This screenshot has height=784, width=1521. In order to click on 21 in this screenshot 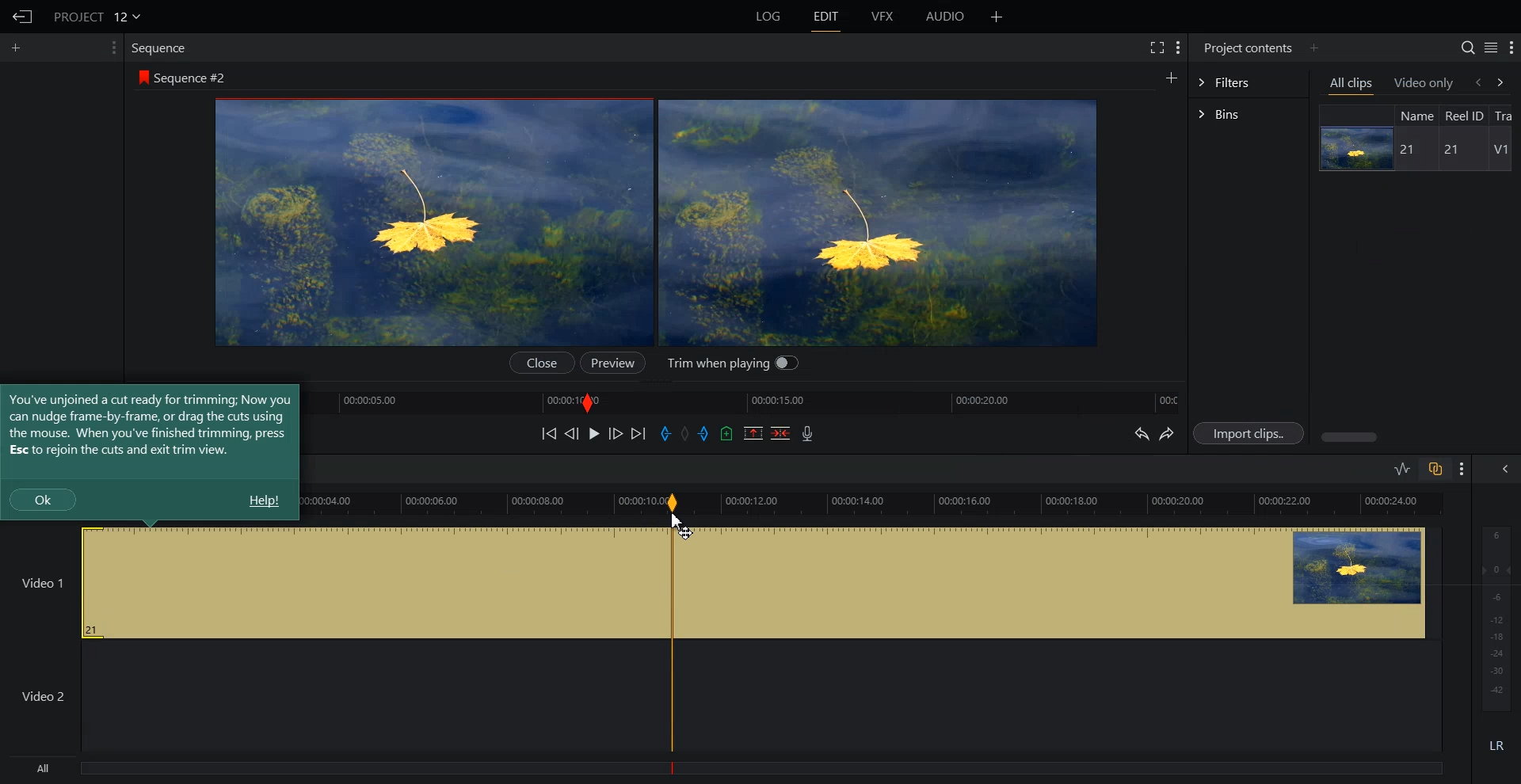, I will do `click(1410, 150)`.